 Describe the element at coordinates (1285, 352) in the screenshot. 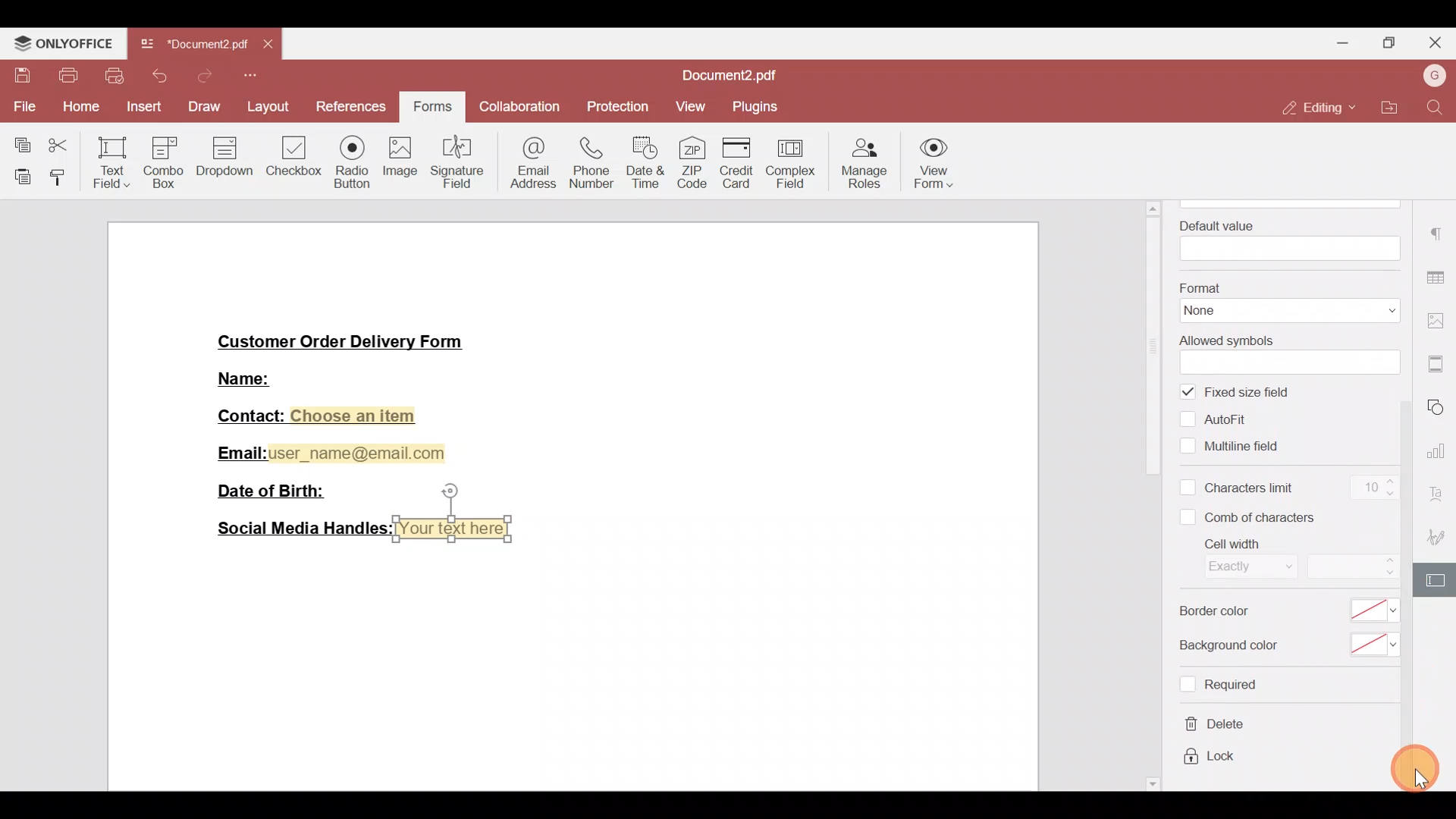

I see `Allowed symbols` at that location.